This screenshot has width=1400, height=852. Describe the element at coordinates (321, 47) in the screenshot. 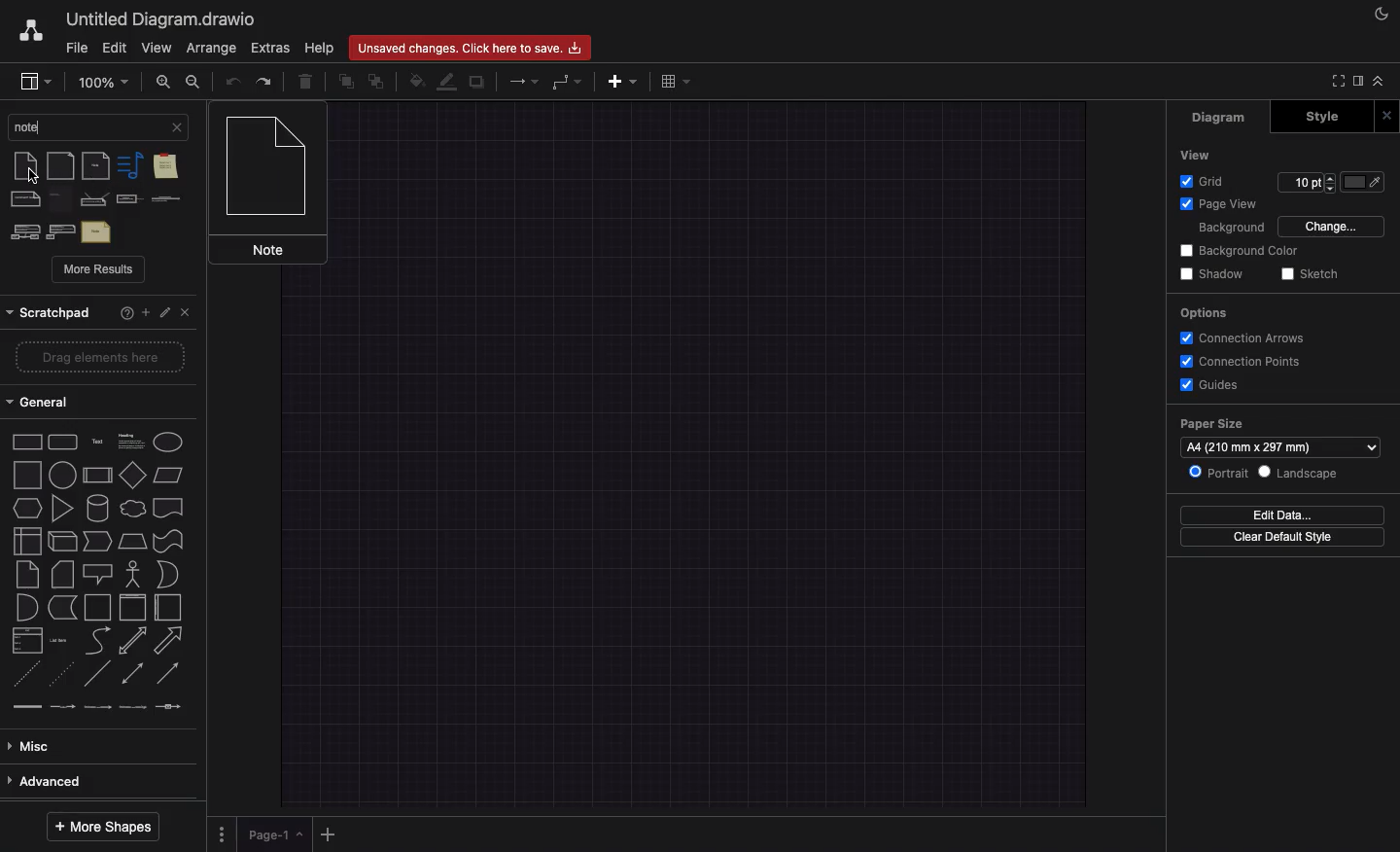

I see `Help` at that location.